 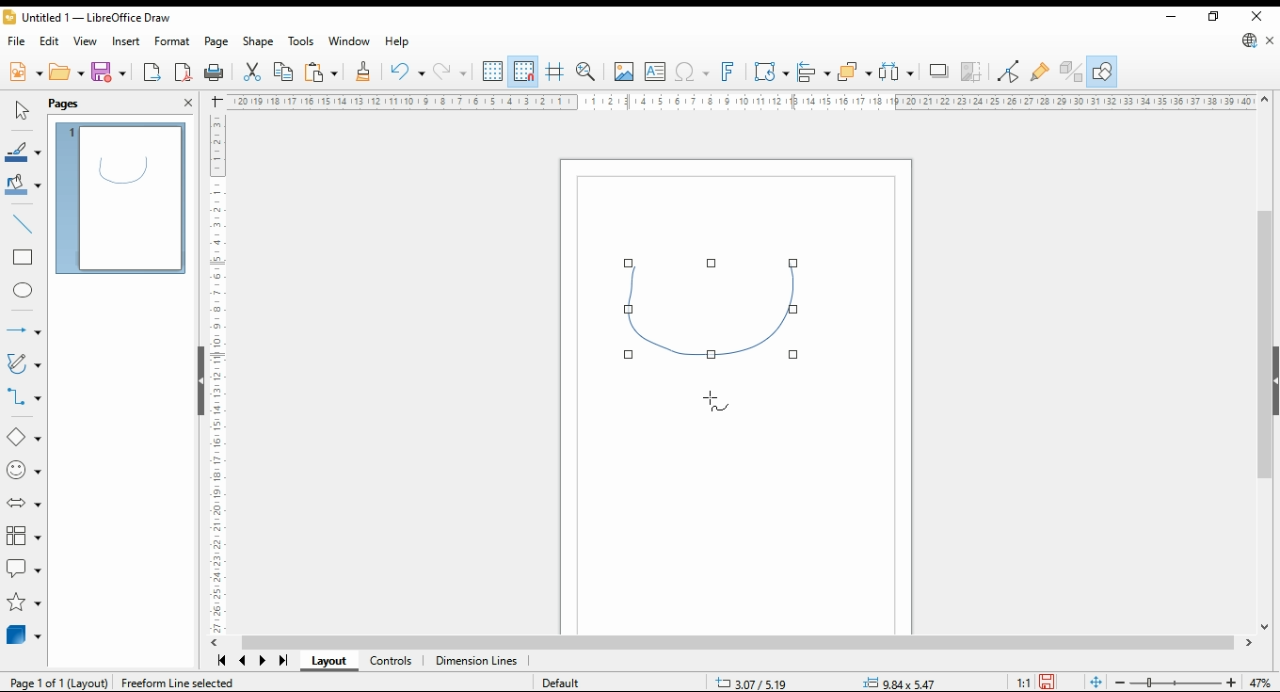 What do you see at coordinates (1095, 681) in the screenshot?
I see `fit page to window` at bounding box center [1095, 681].